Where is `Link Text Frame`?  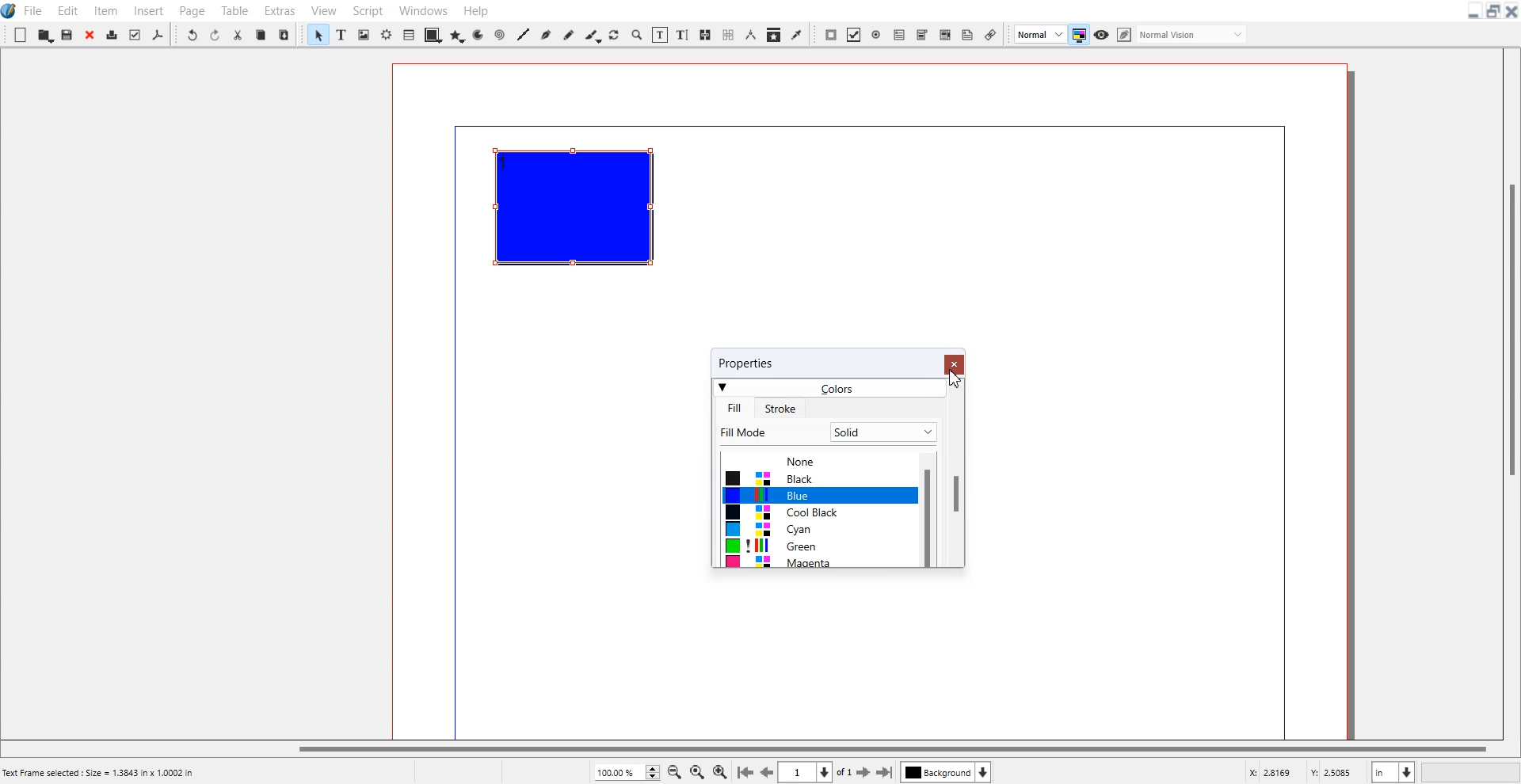
Link Text Frame is located at coordinates (705, 35).